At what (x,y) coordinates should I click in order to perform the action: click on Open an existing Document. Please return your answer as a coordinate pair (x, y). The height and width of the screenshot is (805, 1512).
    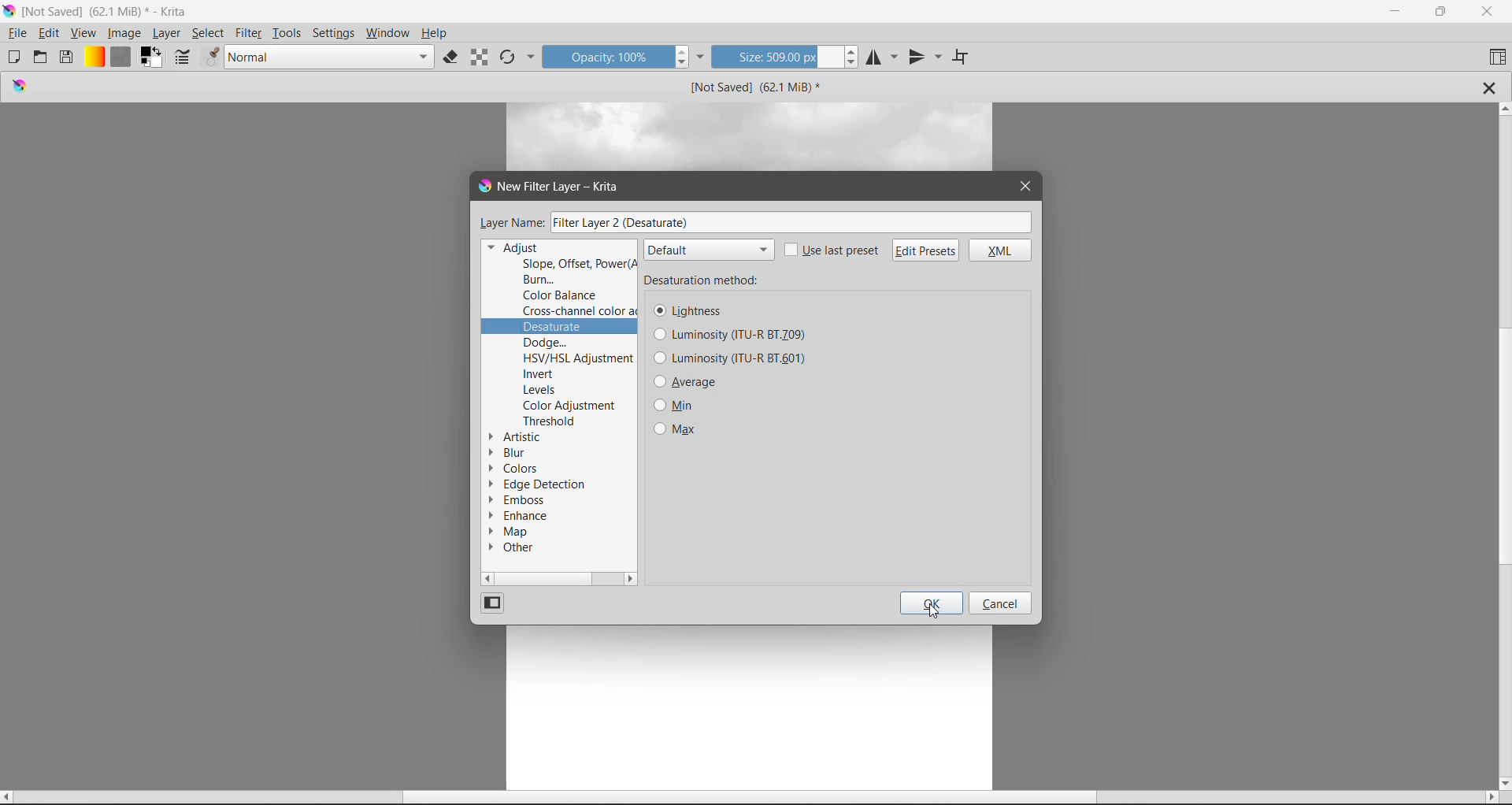
    Looking at the image, I should click on (41, 58).